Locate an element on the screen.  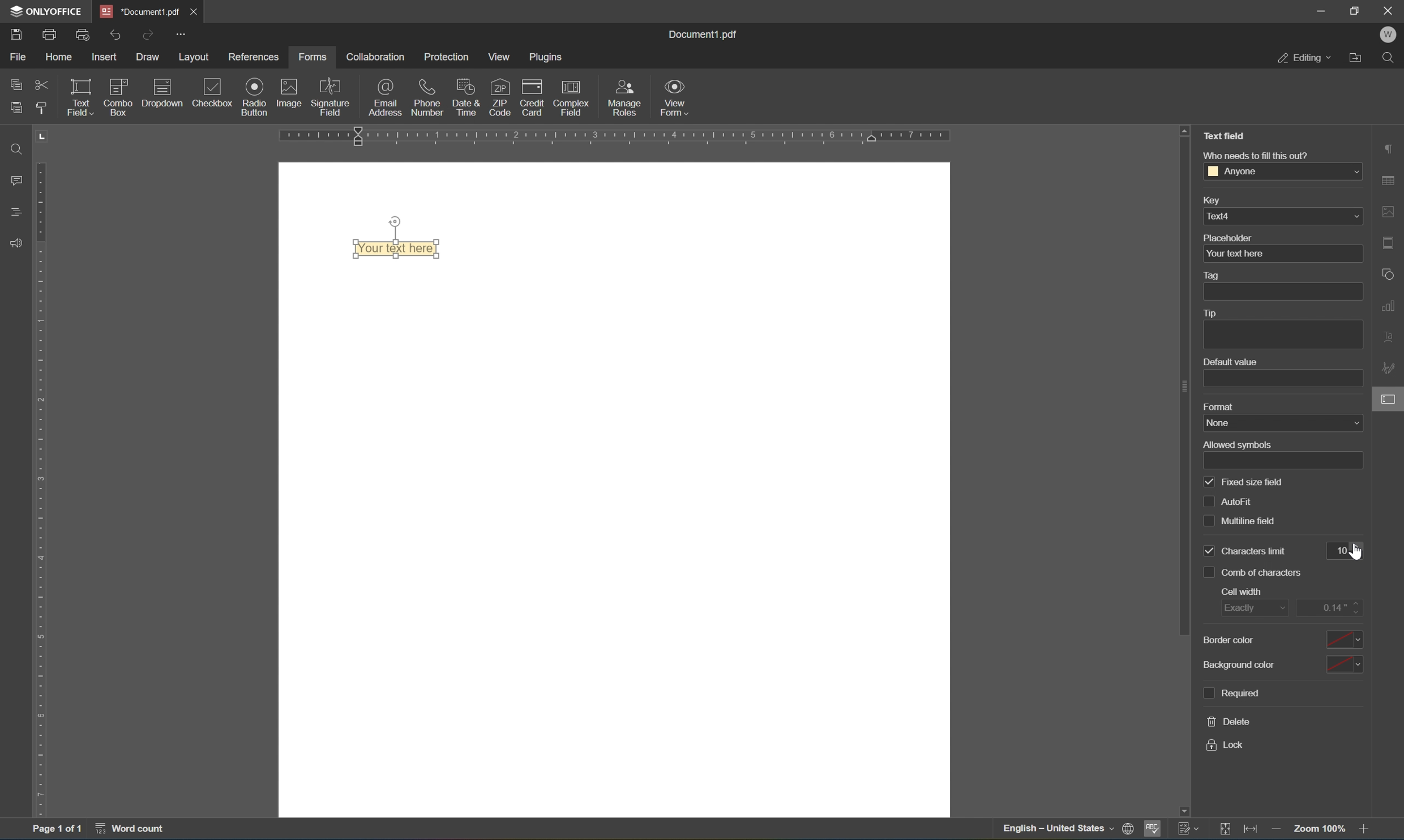
form view is located at coordinates (673, 96).